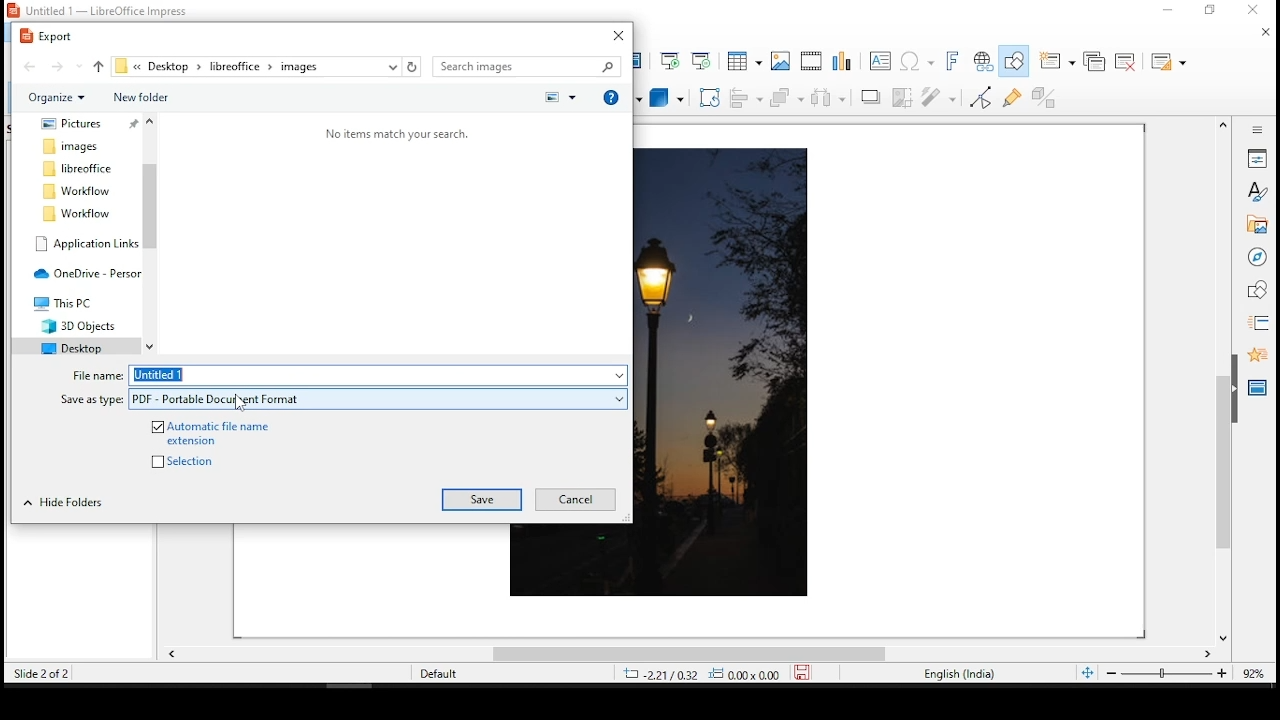 This screenshot has width=1280, height=720. Describe the element at coordinates (905, 98) in the screenshot. I see `crop image` at that location.